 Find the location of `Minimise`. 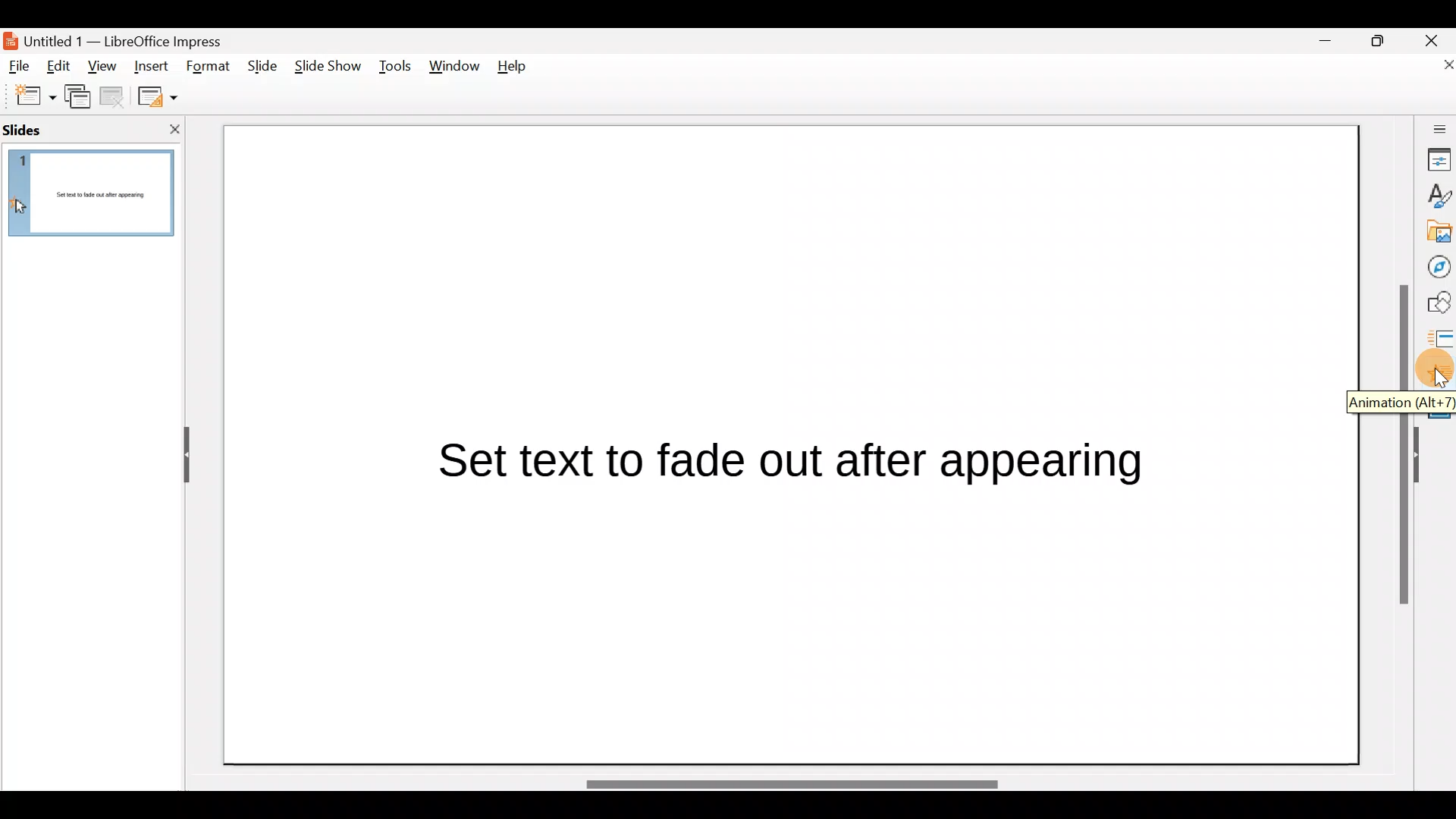

Minimise is located at coordinates (1323, 45).